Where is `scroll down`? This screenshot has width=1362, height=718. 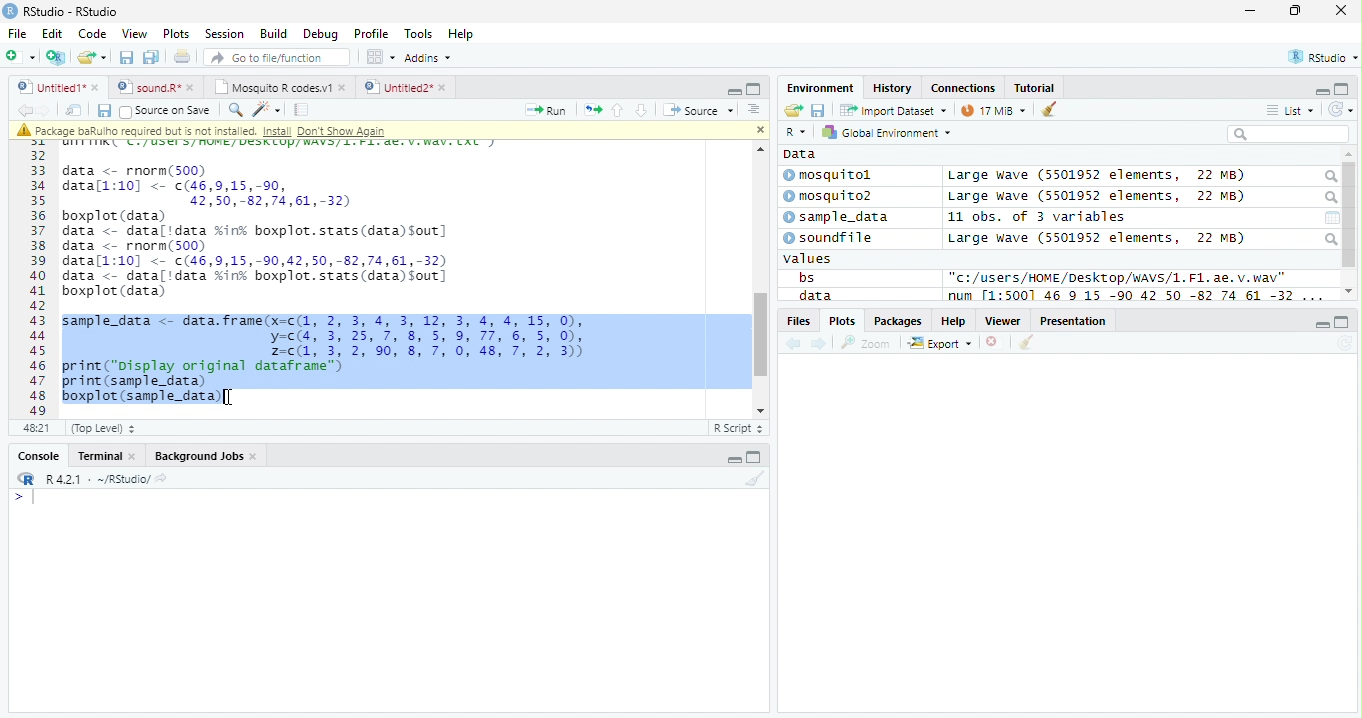 scroll down is located at coordinates (756, 410).